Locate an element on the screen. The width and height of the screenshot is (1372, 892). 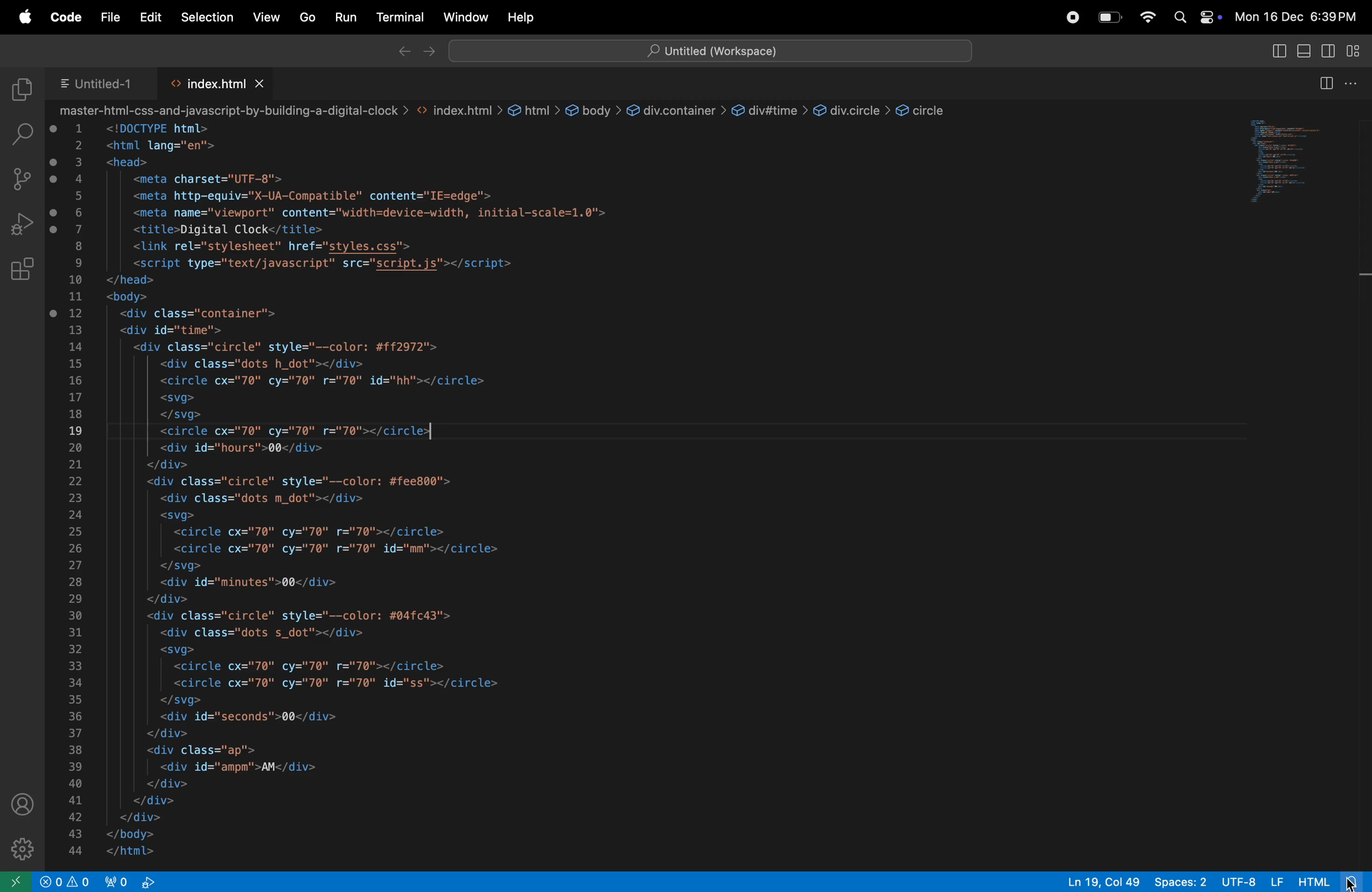
view is located at coordinates (267, 13).